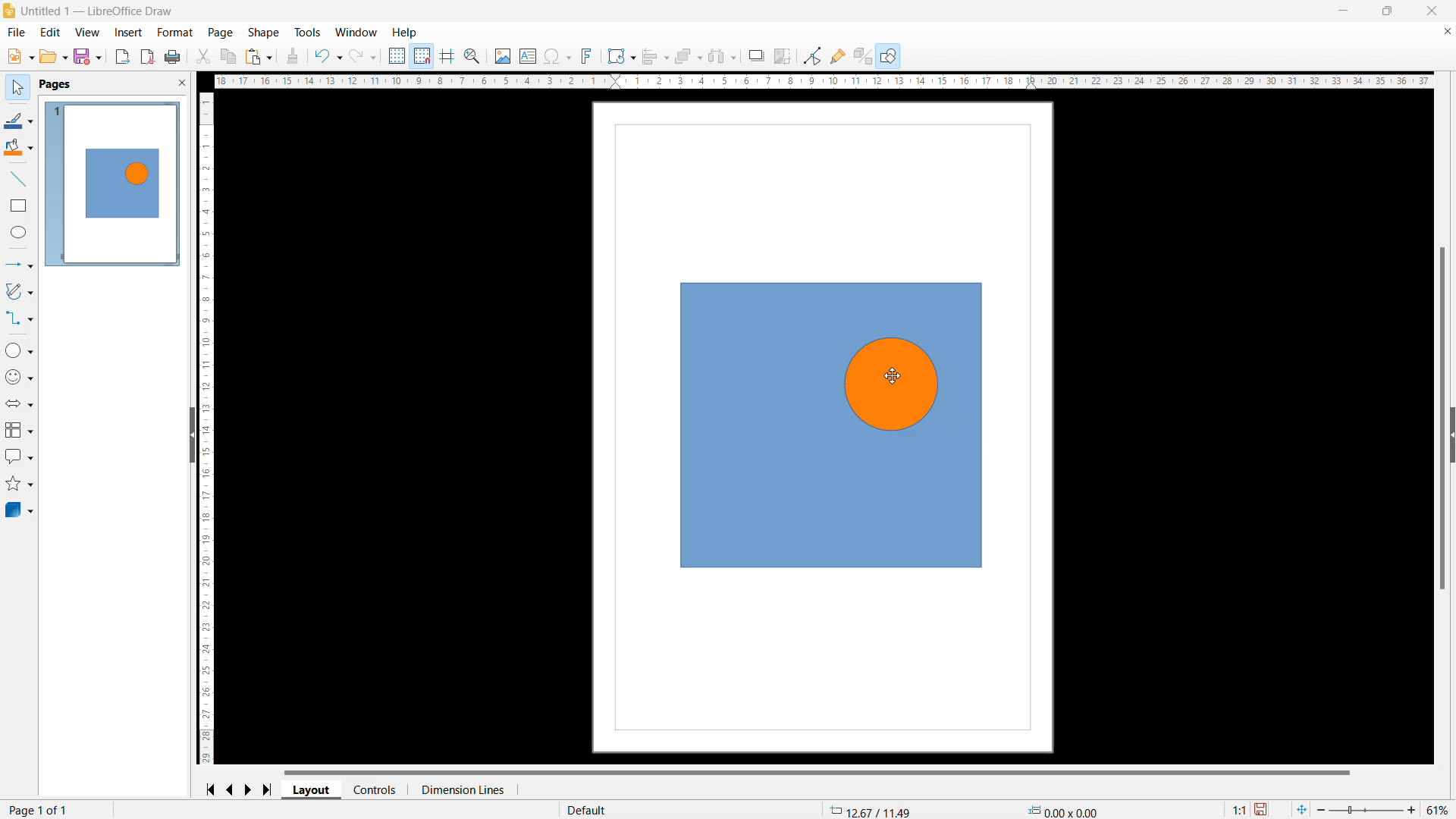 This screenshot has width=1456, height=819. Describe the element at coordinates (202, 57) in the screenshot. I see `cut` at that location.